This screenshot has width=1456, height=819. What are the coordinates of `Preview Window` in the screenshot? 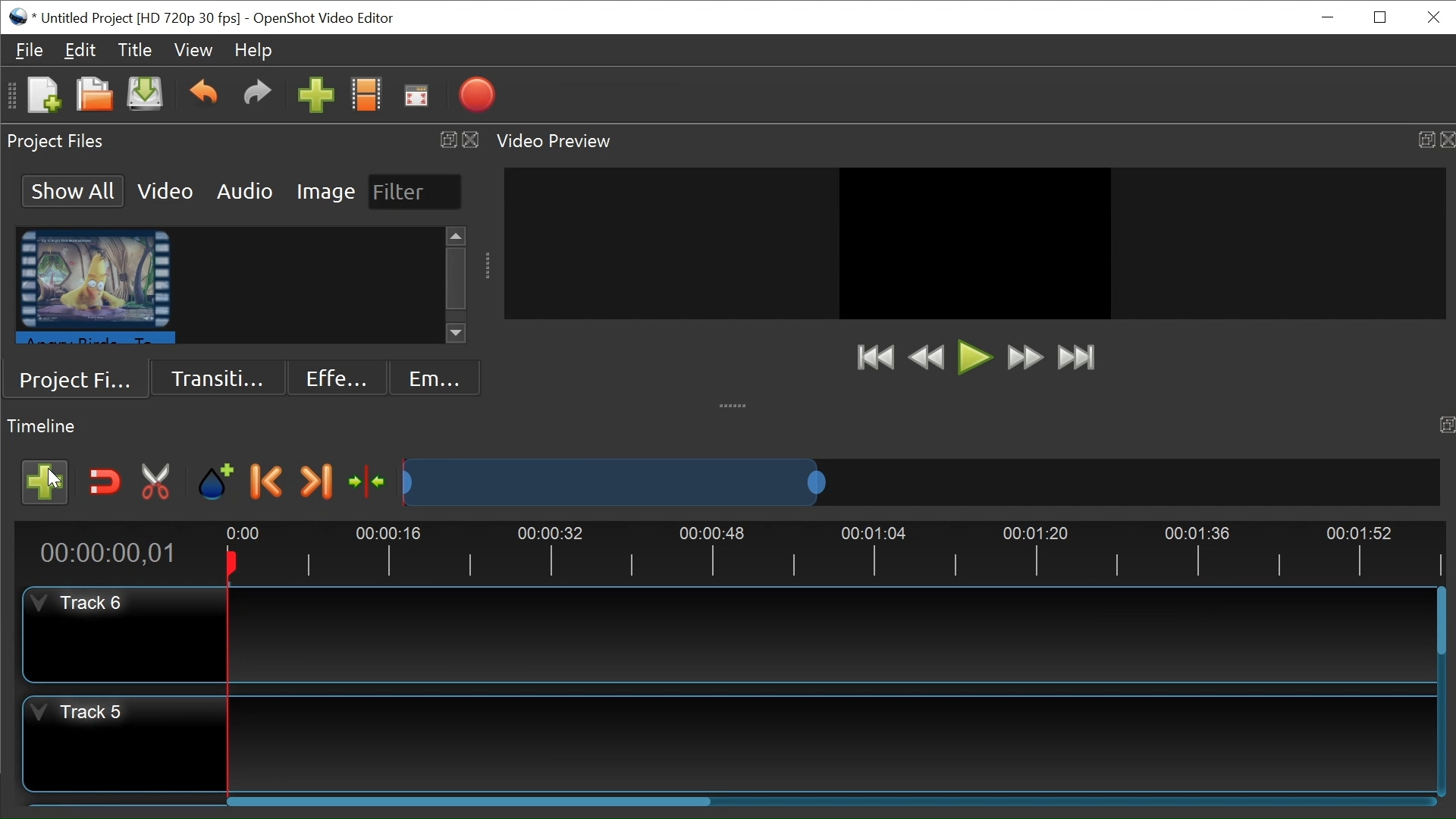 It's located at (974, 244).